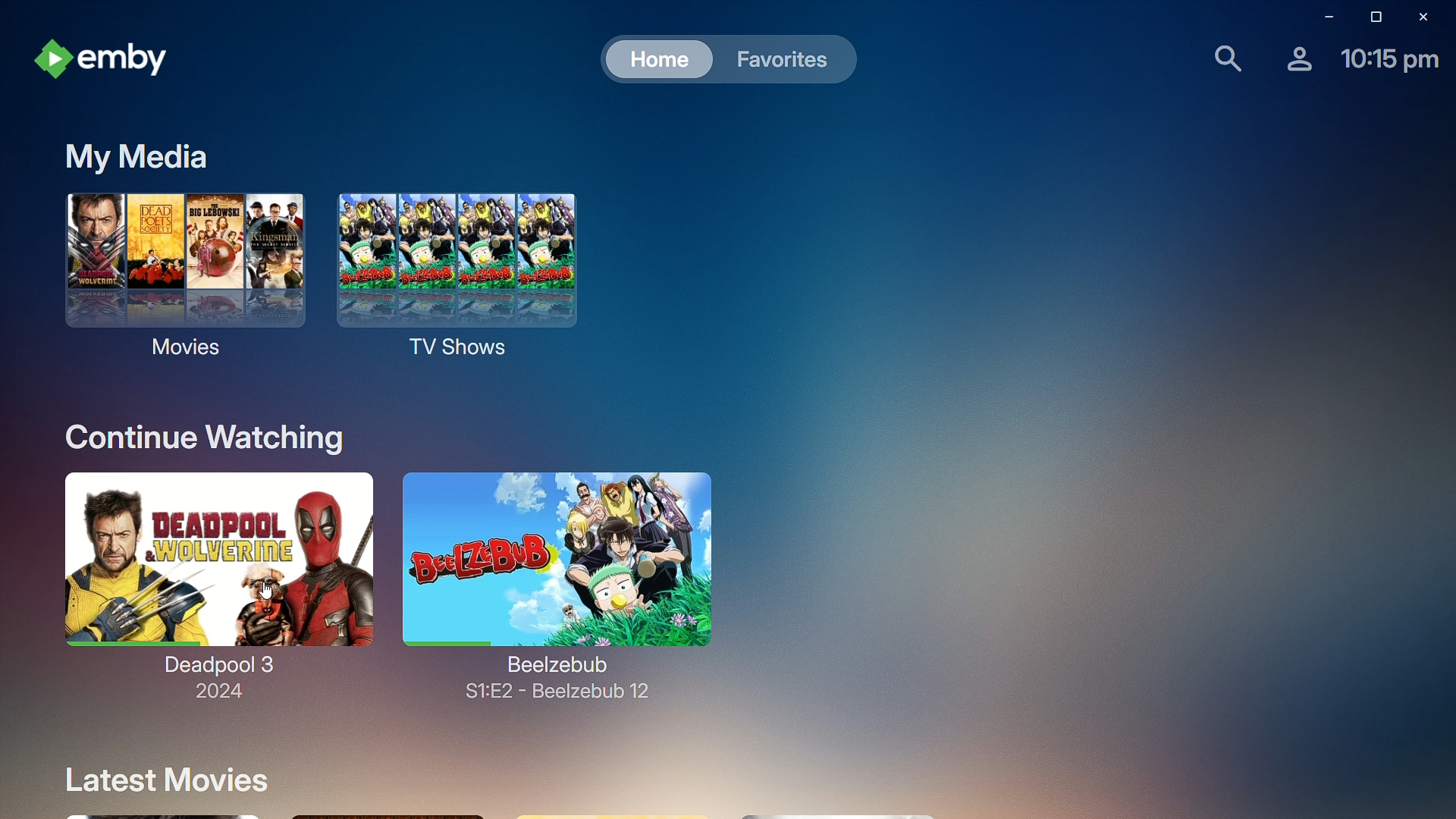 This screenshot has height=819, width=1456. What do you see at coordinates (165, 778) in the screenshot?
I see `Latest Movies` at bounding box center [165, 778].